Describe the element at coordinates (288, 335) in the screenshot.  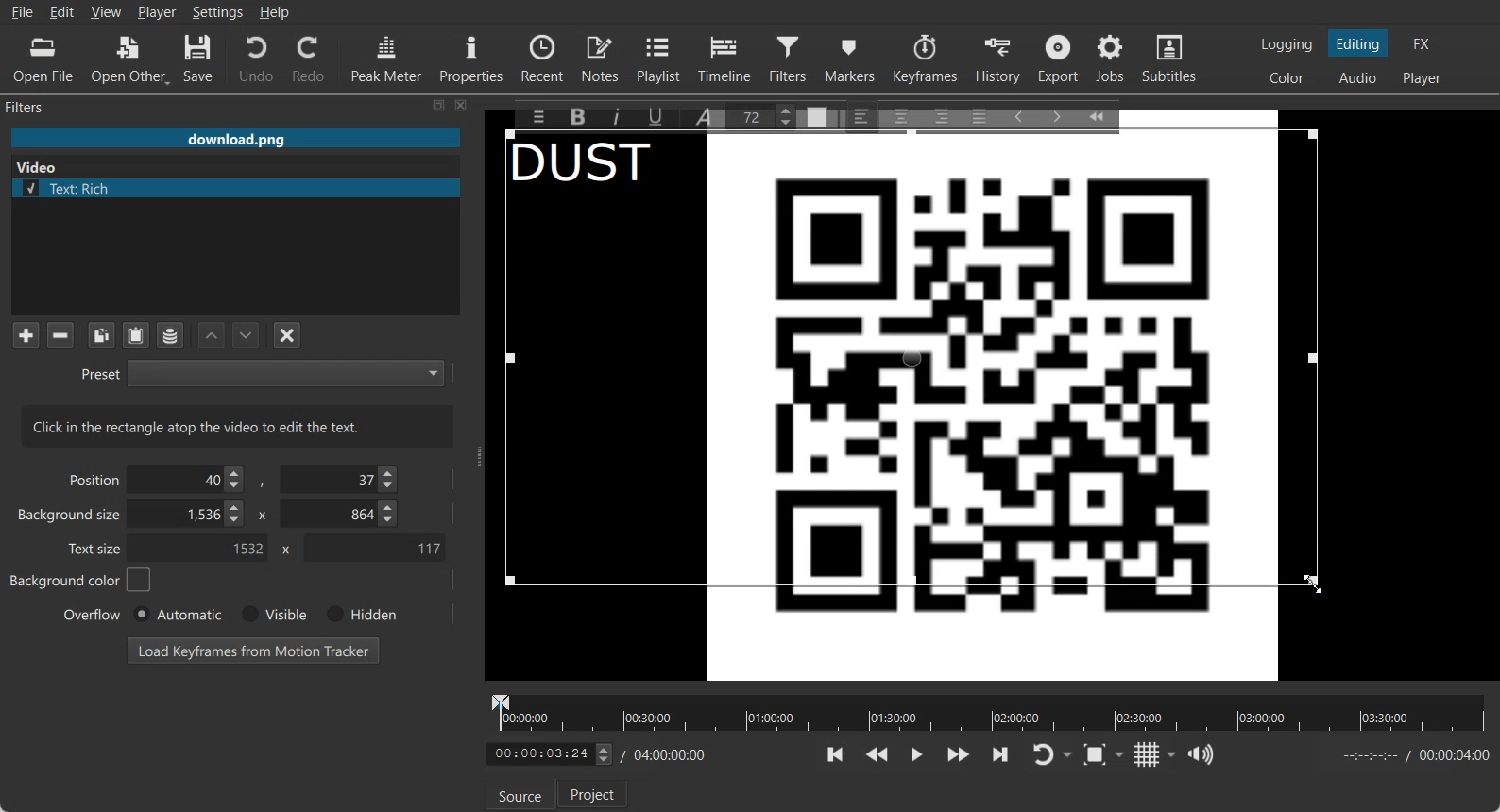
I see `Deselect the filter` at that location.